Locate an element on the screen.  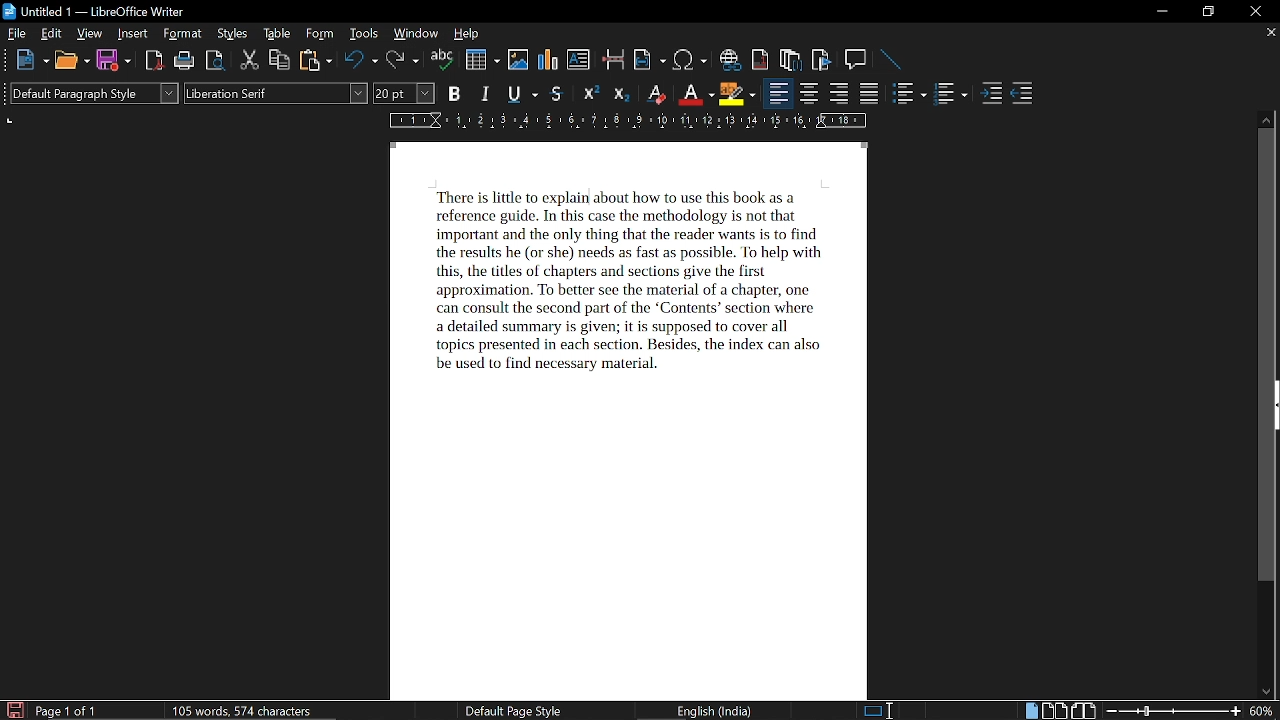
English (India) is located at coordinates (718, 710).